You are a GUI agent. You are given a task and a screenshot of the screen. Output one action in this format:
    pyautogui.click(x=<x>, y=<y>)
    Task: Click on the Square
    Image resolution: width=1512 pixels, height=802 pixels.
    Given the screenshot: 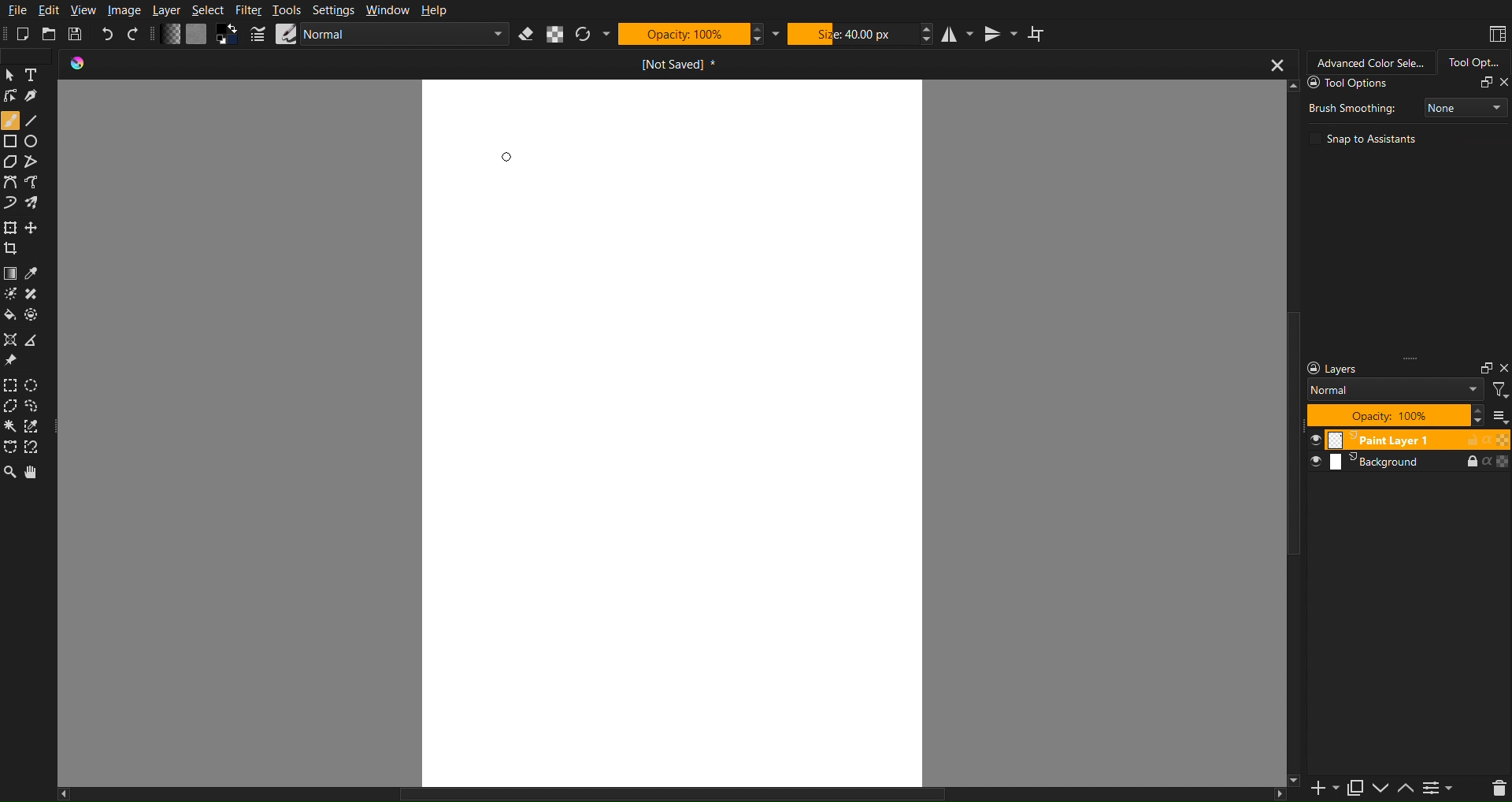 What is the action you would take?
    pyautogui.click(x=10, y=141)
    